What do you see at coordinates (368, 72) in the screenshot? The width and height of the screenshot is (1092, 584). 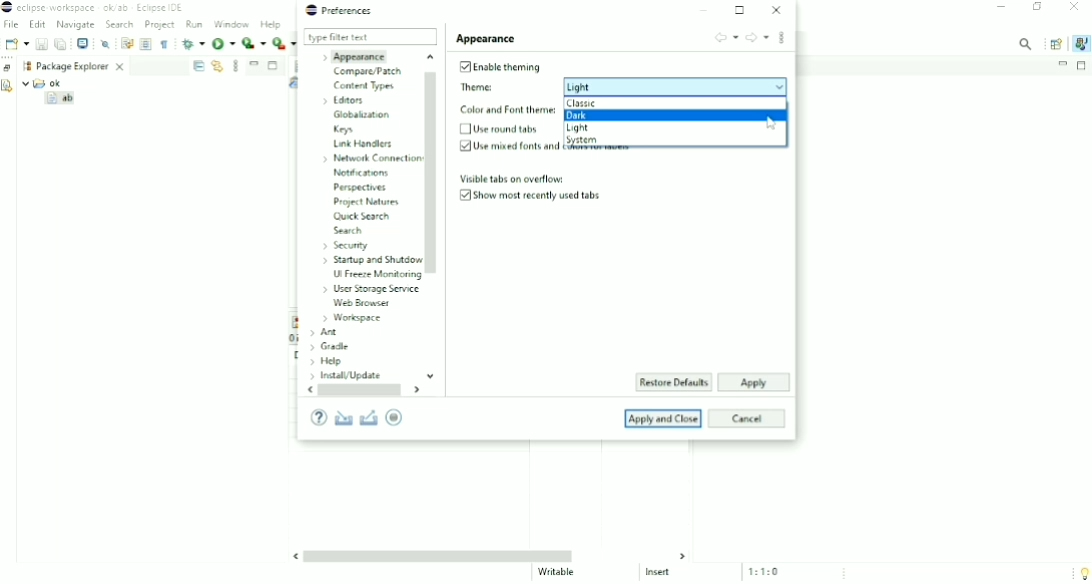 I see `Compare/Patch` at bounding box center [368, 72].